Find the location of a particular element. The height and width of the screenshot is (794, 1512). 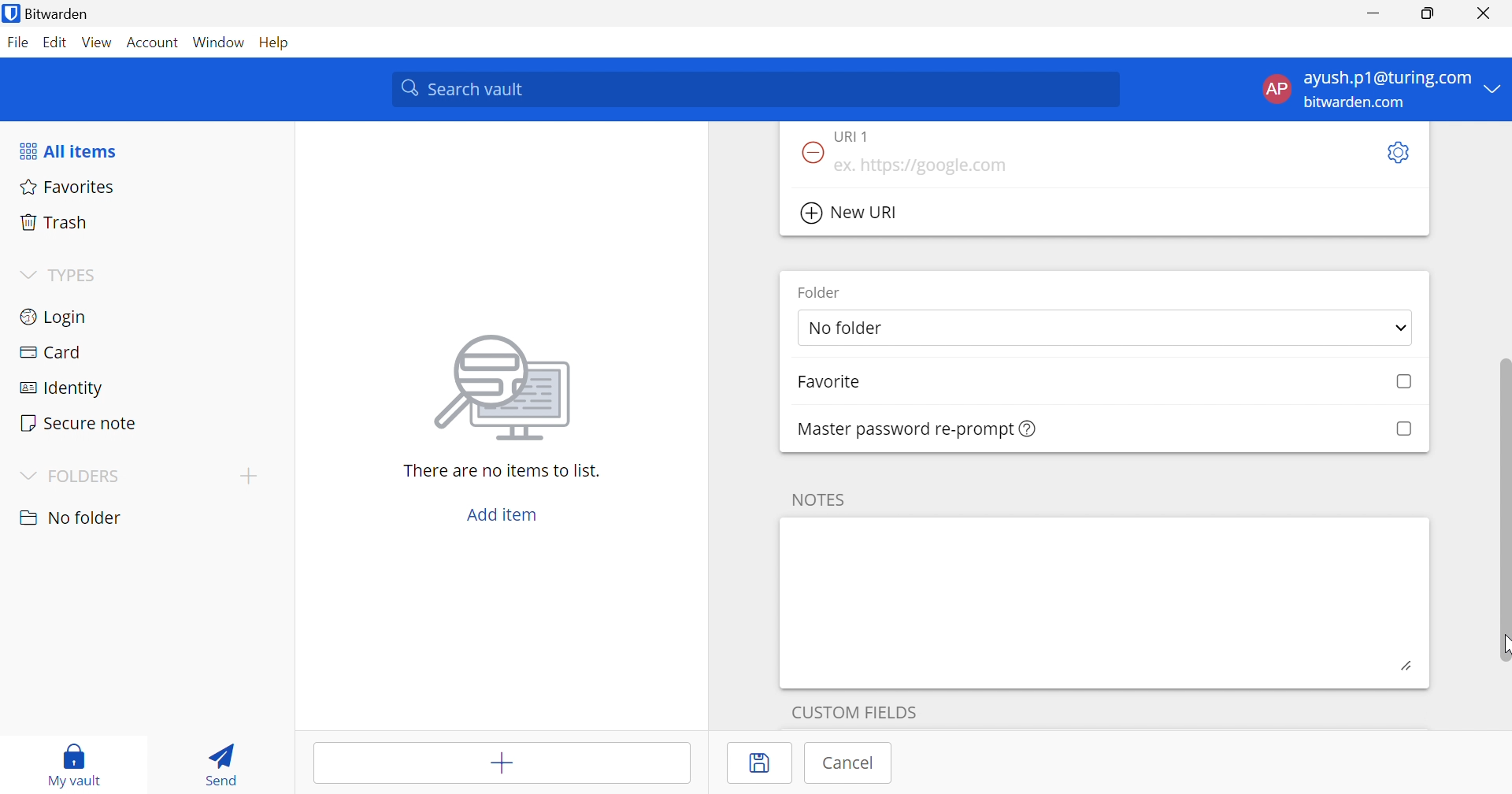

Drop Down is located at coordinates (1402, 330).